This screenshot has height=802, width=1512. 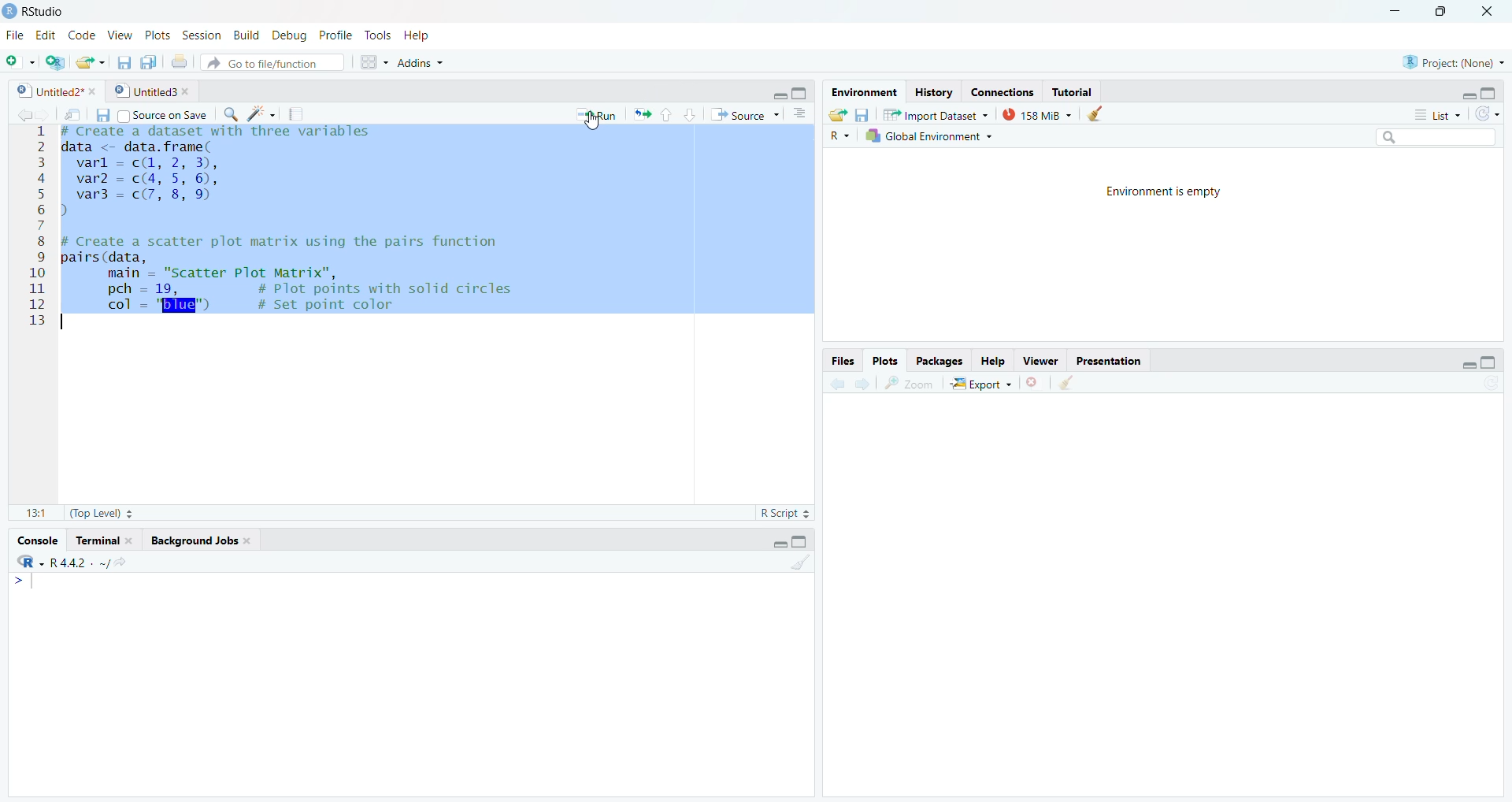 What do you see at coordinates (837, 113) in the screenshot?
I see `Load workspace` at bounding box center [837, 113].